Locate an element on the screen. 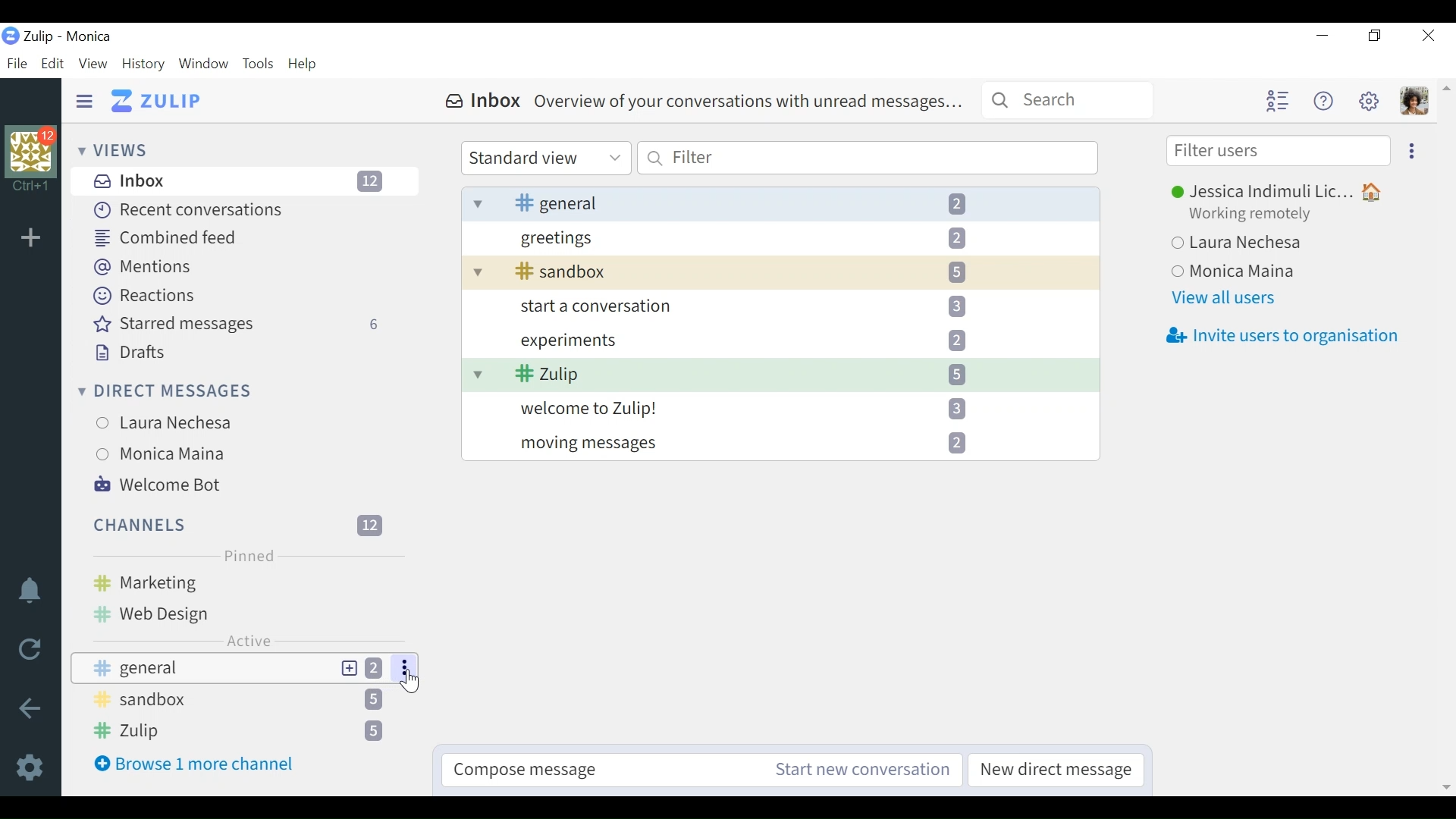 The height and width of the screenshot is (819, 1456). Filter is located at coordinates (867, 157).